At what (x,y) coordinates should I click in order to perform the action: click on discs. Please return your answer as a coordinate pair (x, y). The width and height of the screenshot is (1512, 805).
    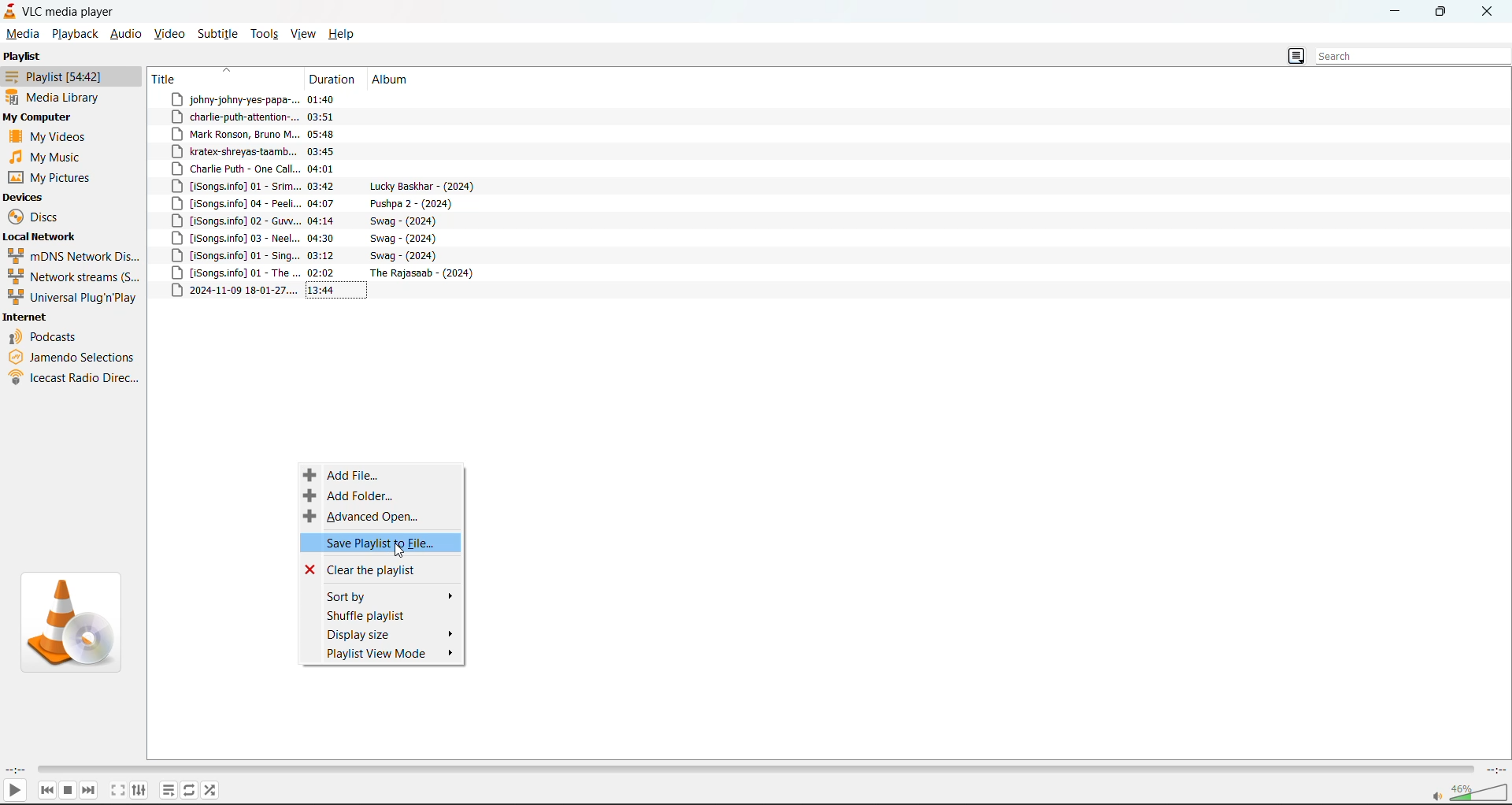
    Looking at the image, I should click on (35, 218).